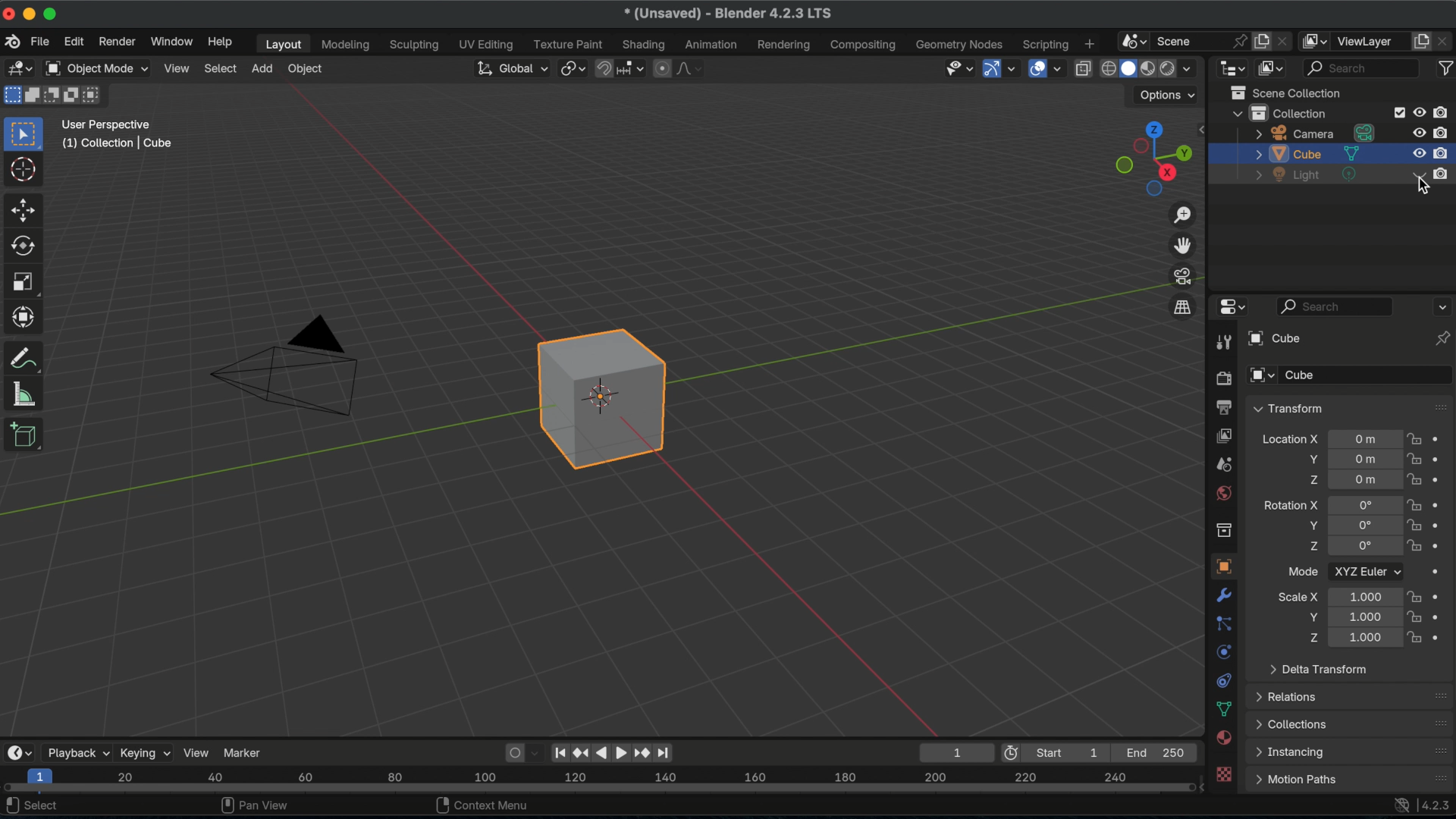  What do you see at coordinates (1289, 752) in the screenshot?
I see `instancing` at bounding box center [1289, 752].